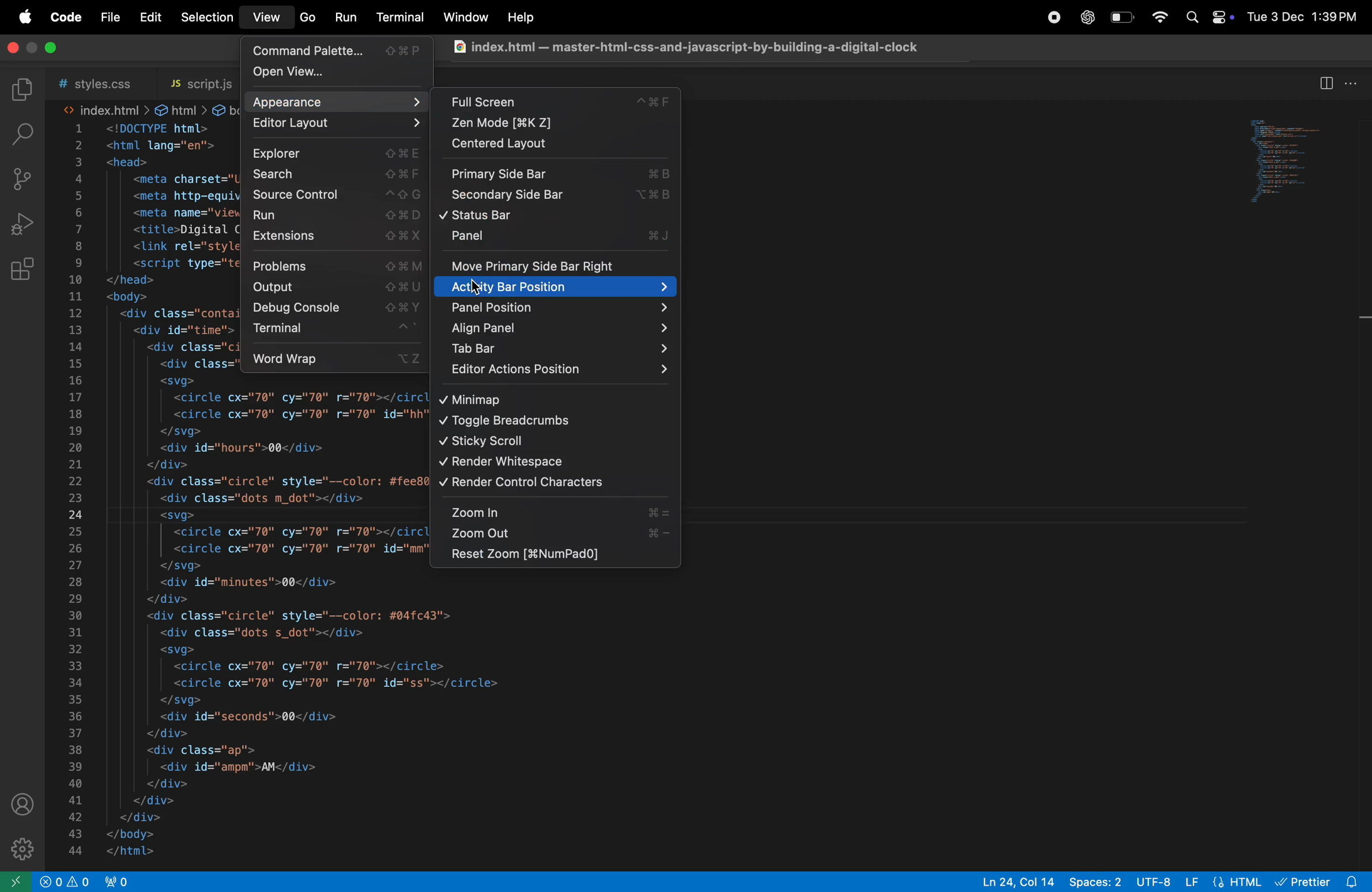 This screenshot has height=892, width=1372. What do you see at coordinates (340, 74) in the screenshot?
I see `open view` at bounding box center [340, 74].